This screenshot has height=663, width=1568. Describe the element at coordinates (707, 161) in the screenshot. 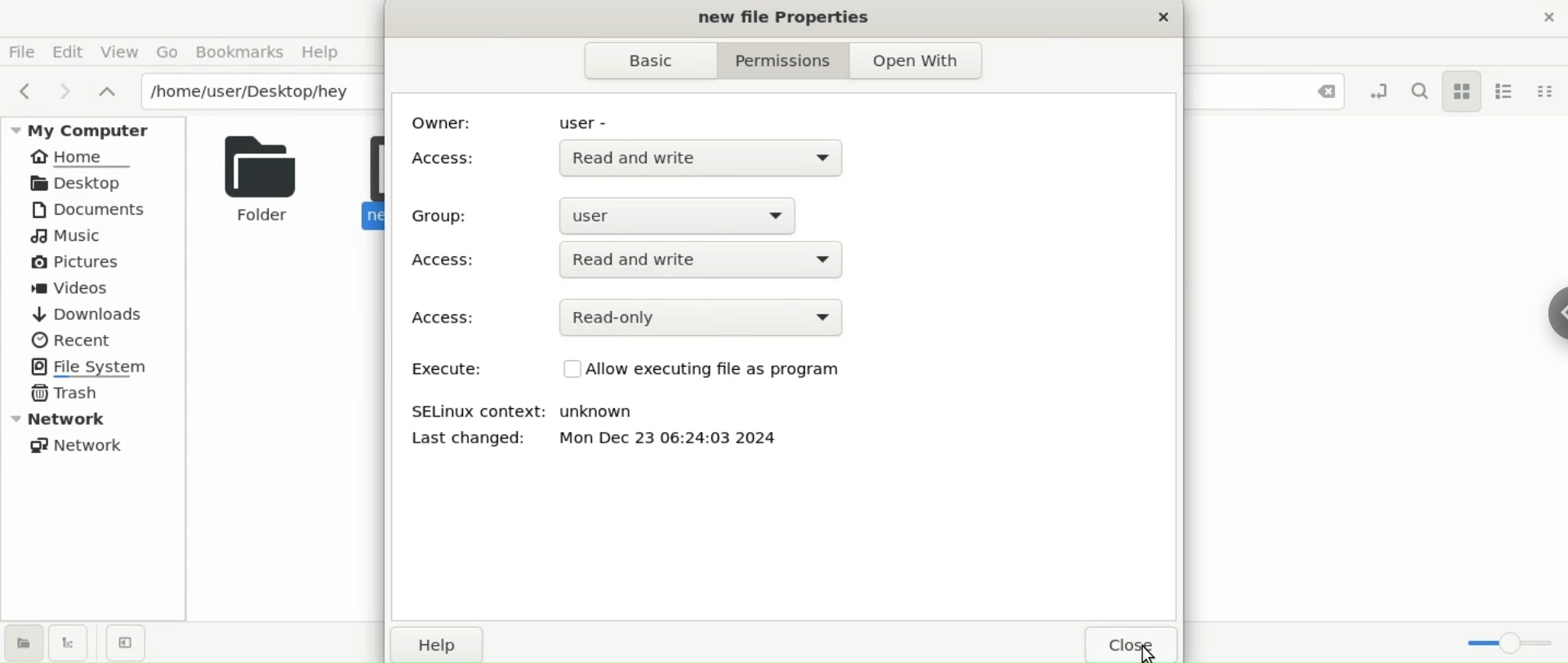

I see `Read and write ` at that location.